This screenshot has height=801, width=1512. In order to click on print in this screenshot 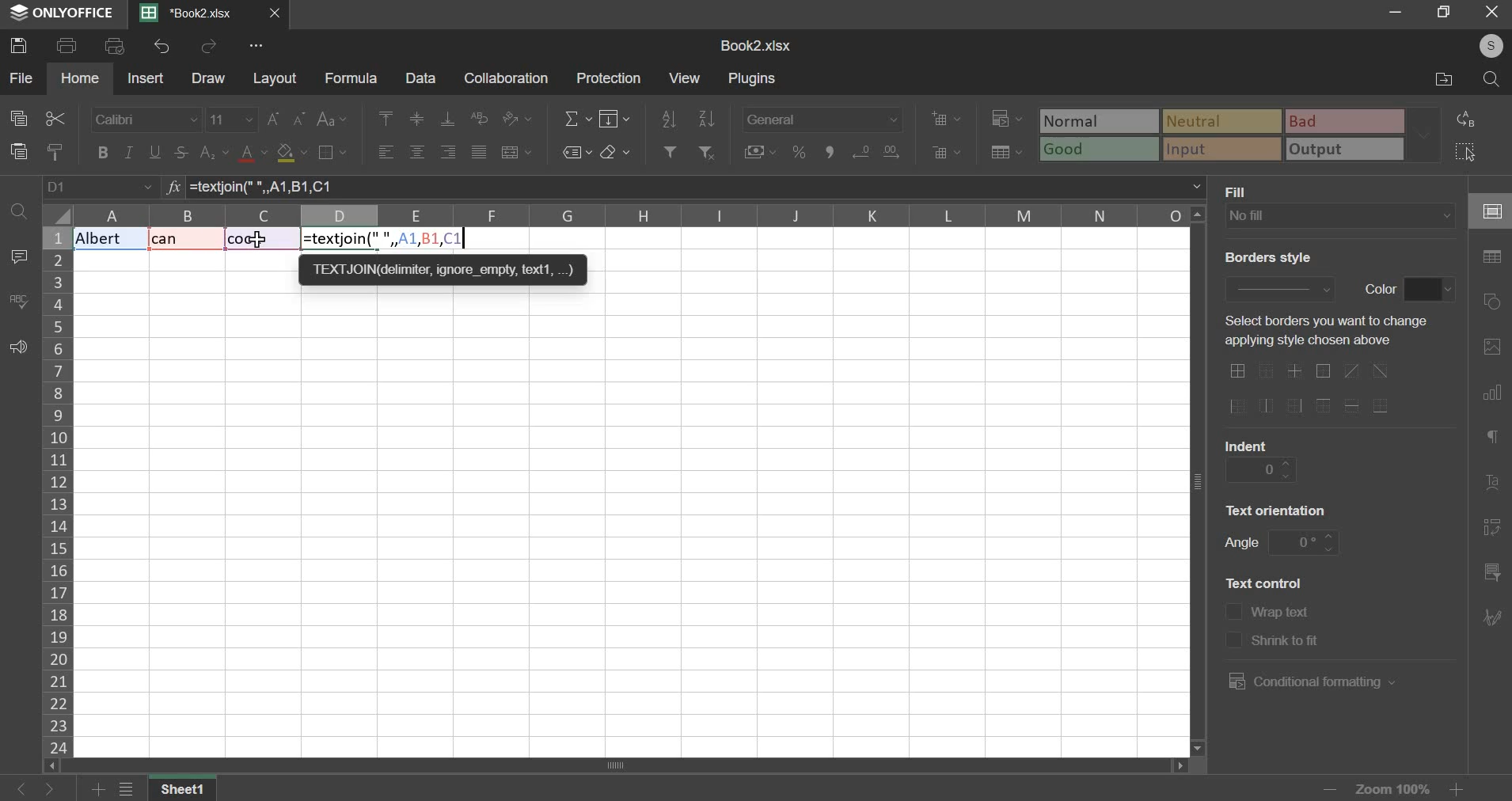, I will do `click(67, 46)`.